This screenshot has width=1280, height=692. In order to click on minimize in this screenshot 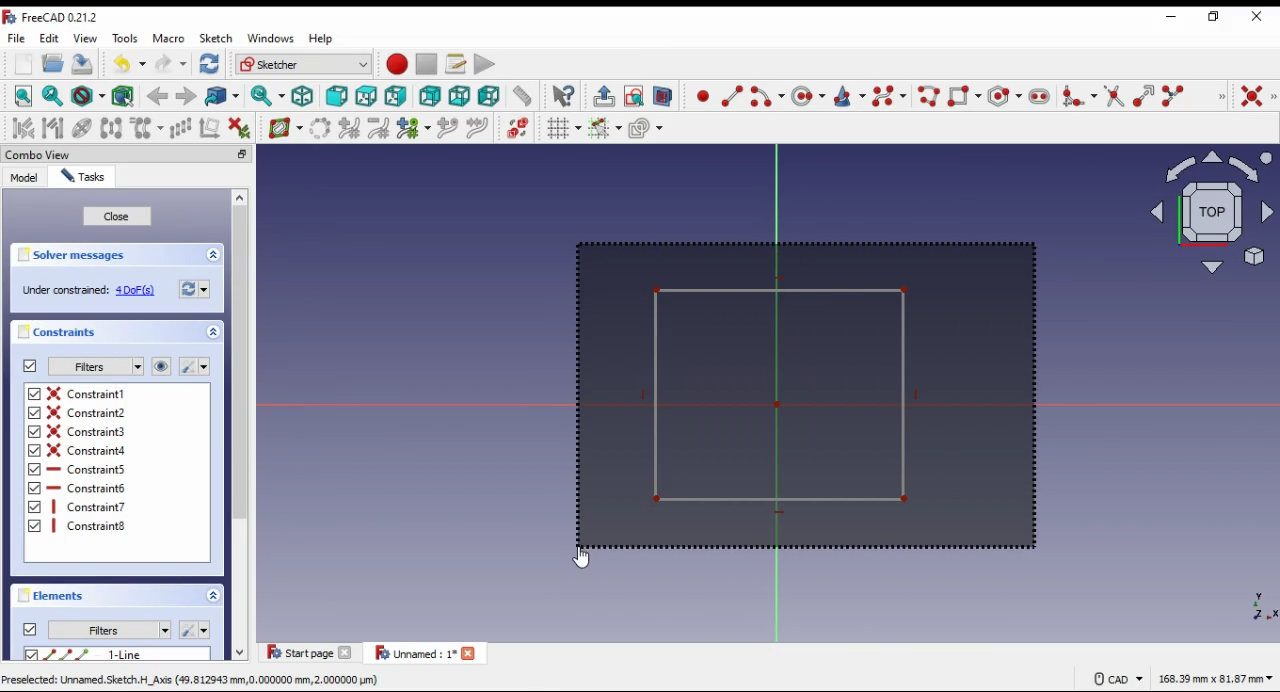, I will do `click(1171, 18)`.